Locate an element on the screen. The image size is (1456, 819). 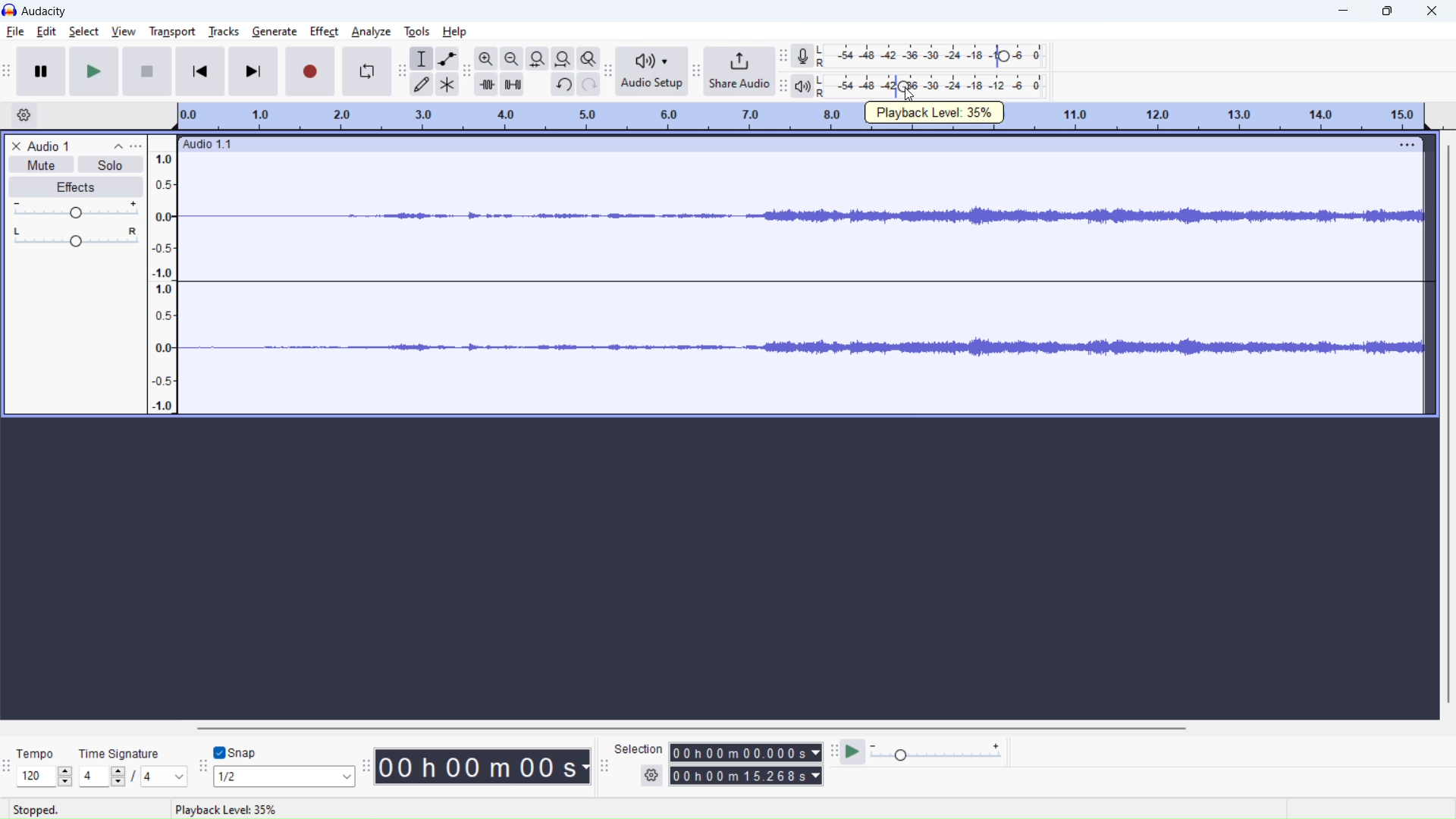
tools toolbar is located at coordinates (400, 70).